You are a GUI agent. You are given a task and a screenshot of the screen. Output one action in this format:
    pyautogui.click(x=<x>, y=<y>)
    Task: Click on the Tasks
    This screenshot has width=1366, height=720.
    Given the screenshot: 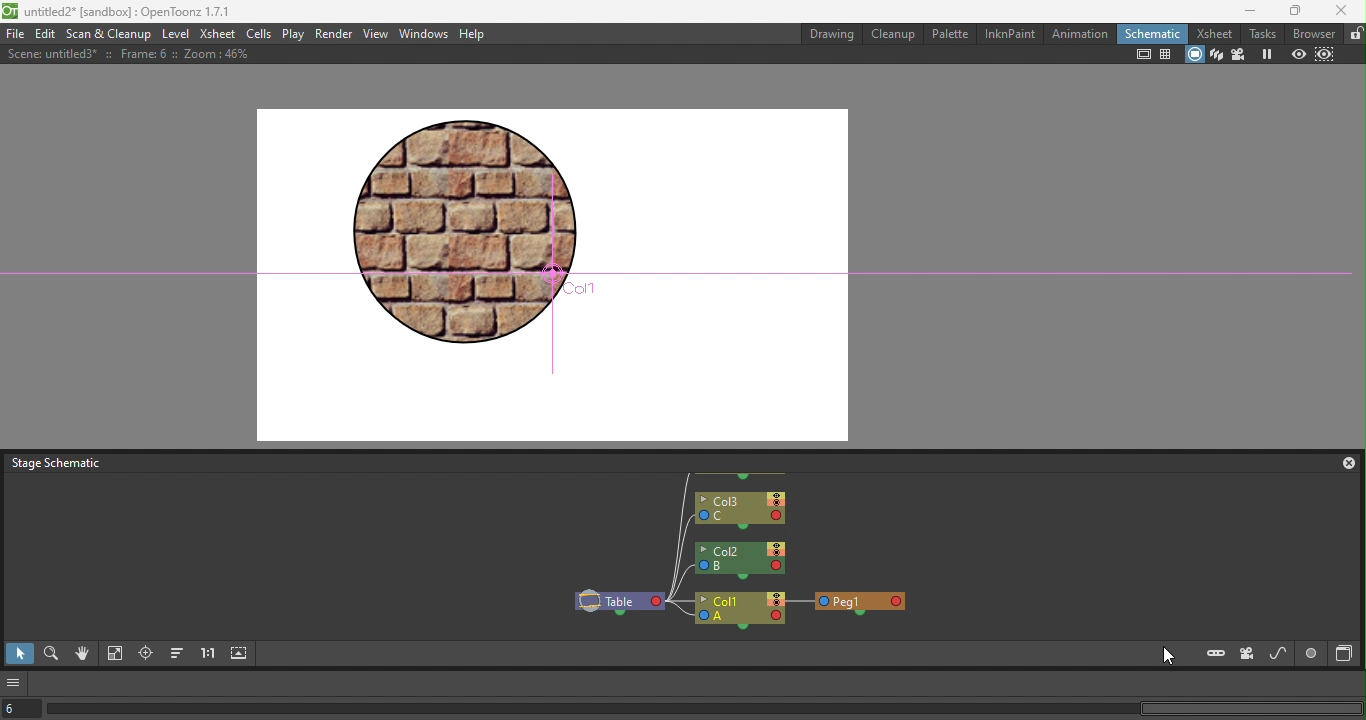 What is the action you would take?
    pyautogui.click(x=1264, y=33)
    